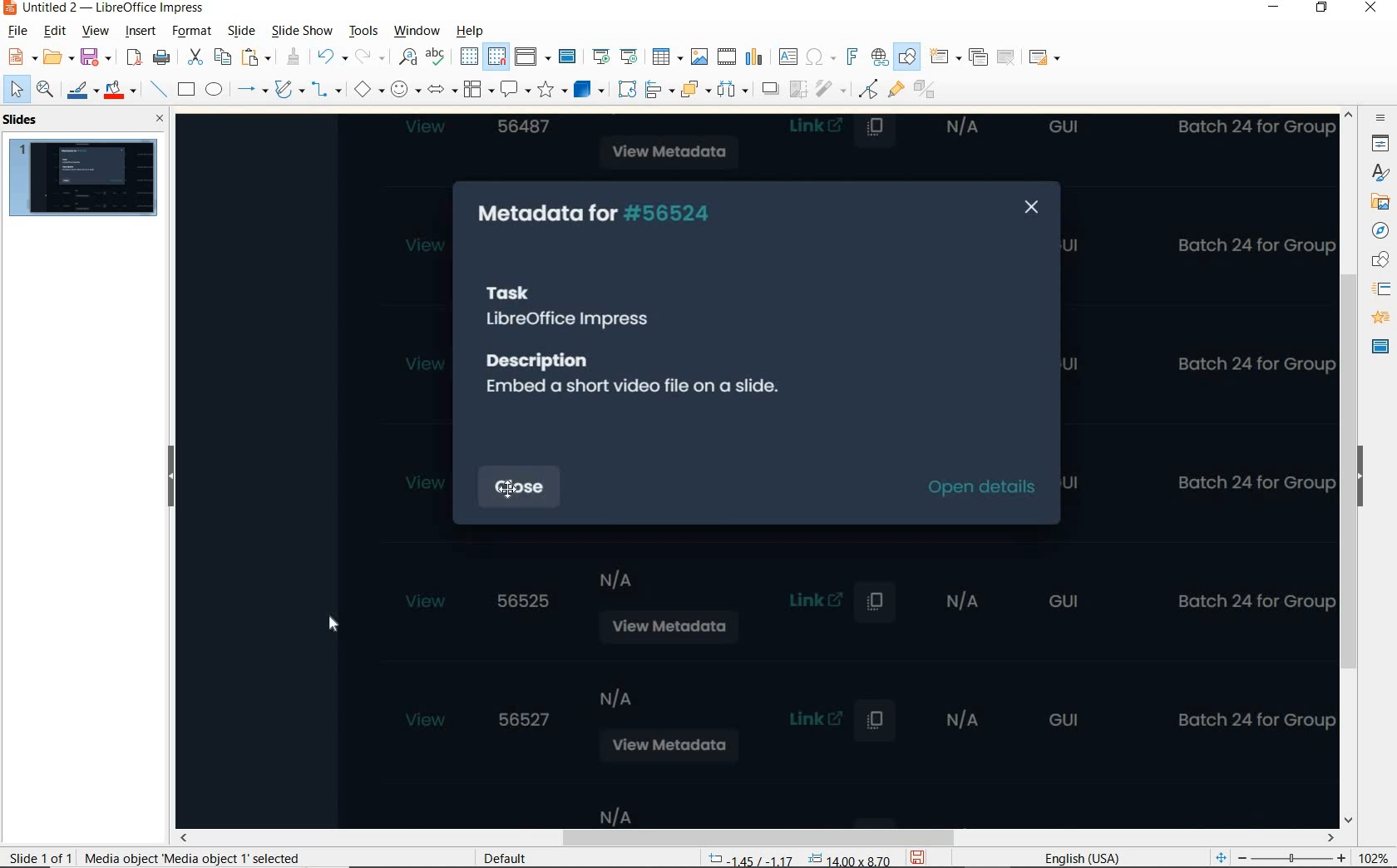 The image size is (1397, 868). Describe the element at coordinates (799, 91) in the screenshot. I see `icon` at that location.